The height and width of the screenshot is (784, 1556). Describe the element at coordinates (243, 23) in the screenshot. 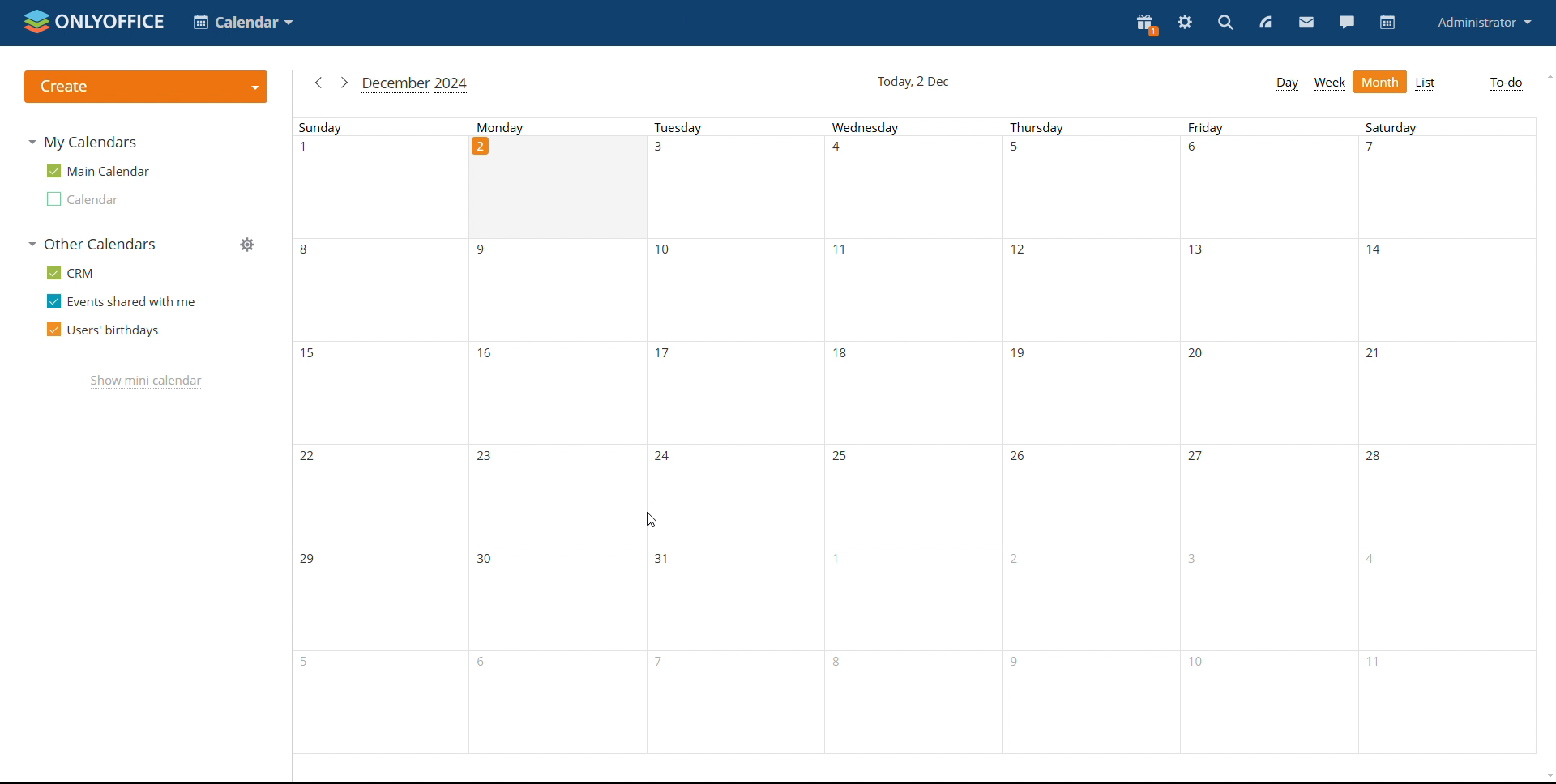

I see `select application` at that location.